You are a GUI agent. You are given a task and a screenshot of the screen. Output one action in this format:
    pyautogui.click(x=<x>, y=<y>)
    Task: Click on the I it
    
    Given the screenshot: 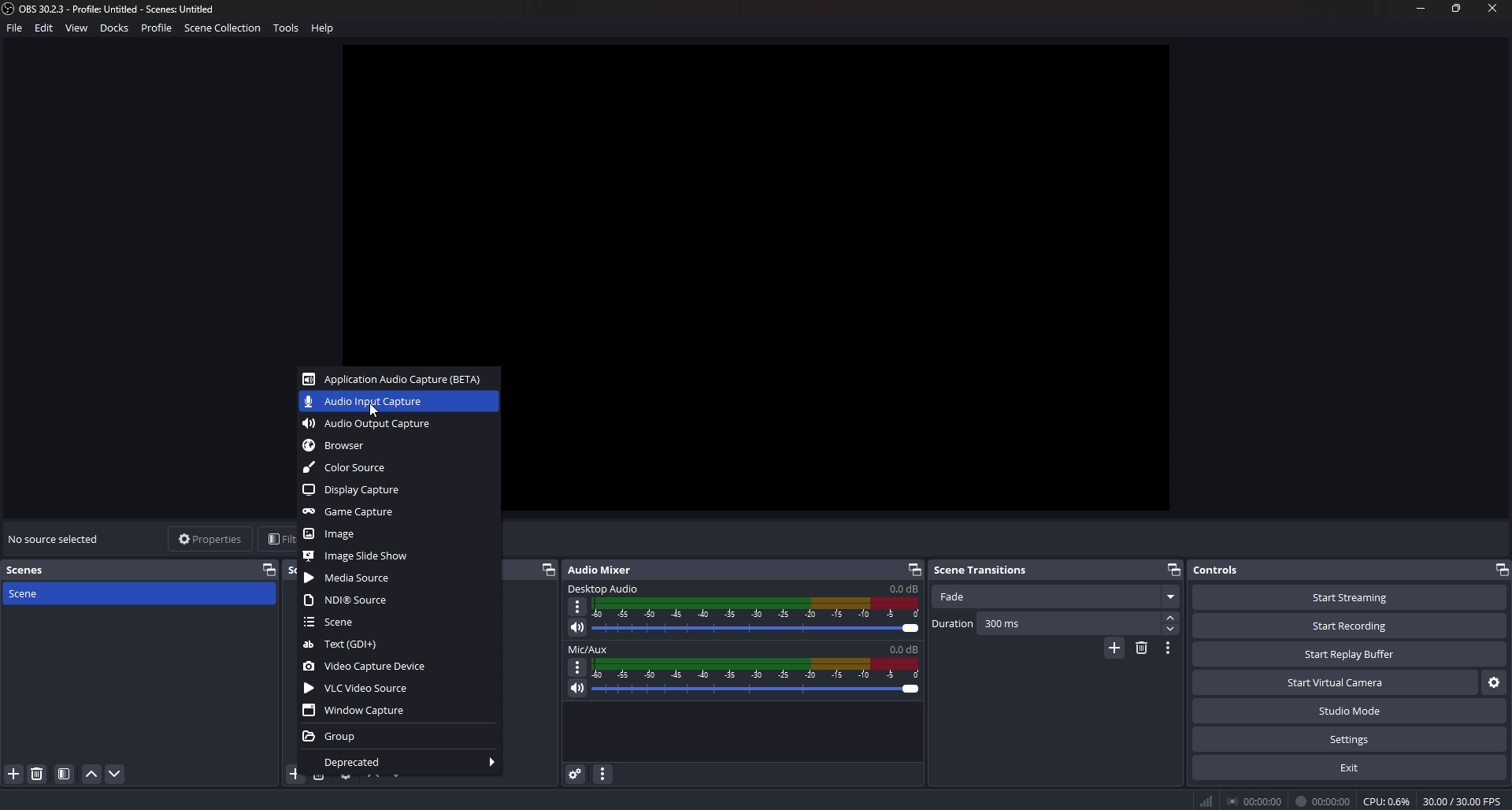 What is the action you would take?
    pyautogui.click(x=1325, y=801)
    